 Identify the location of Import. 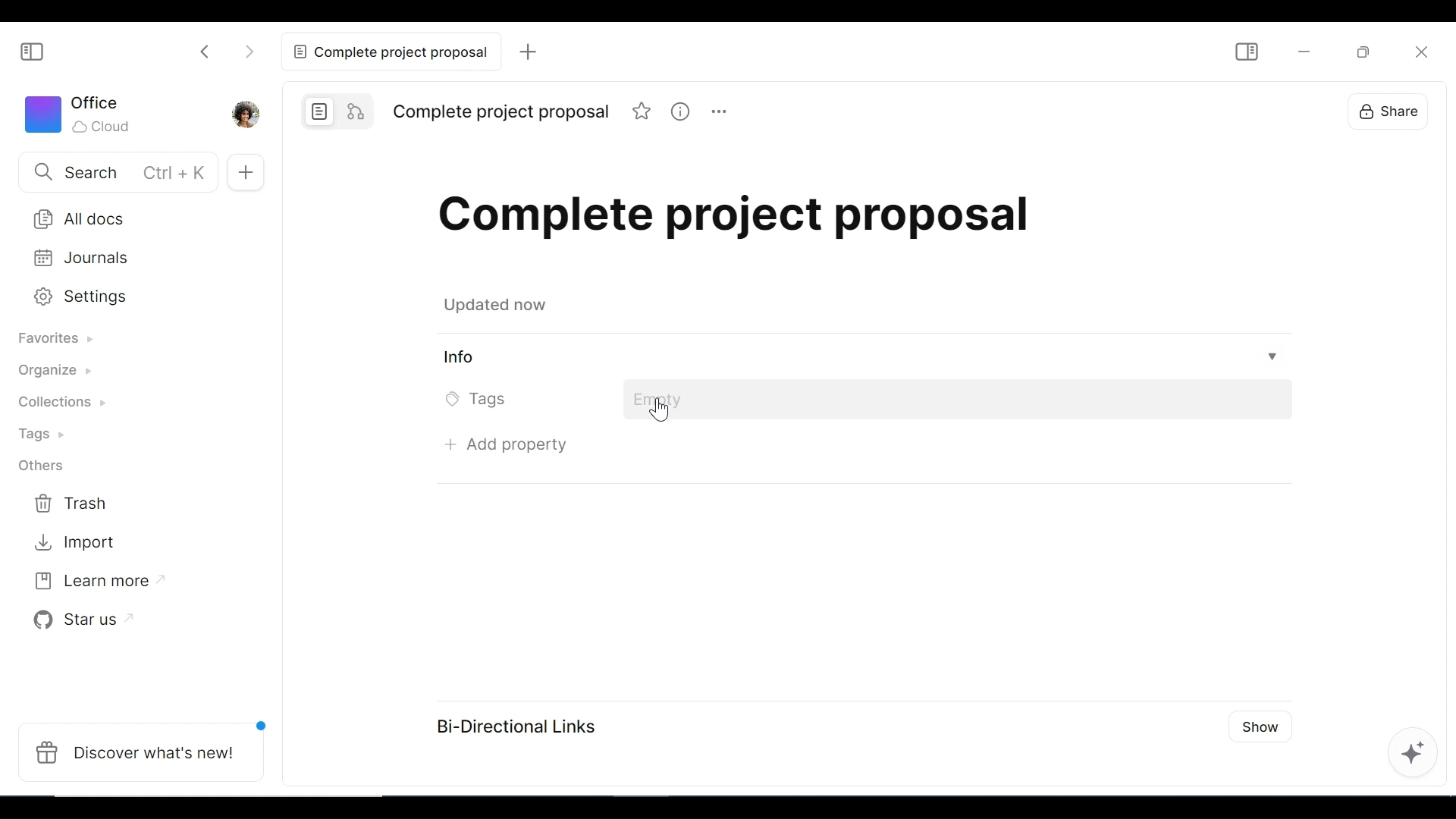
(72, 544).